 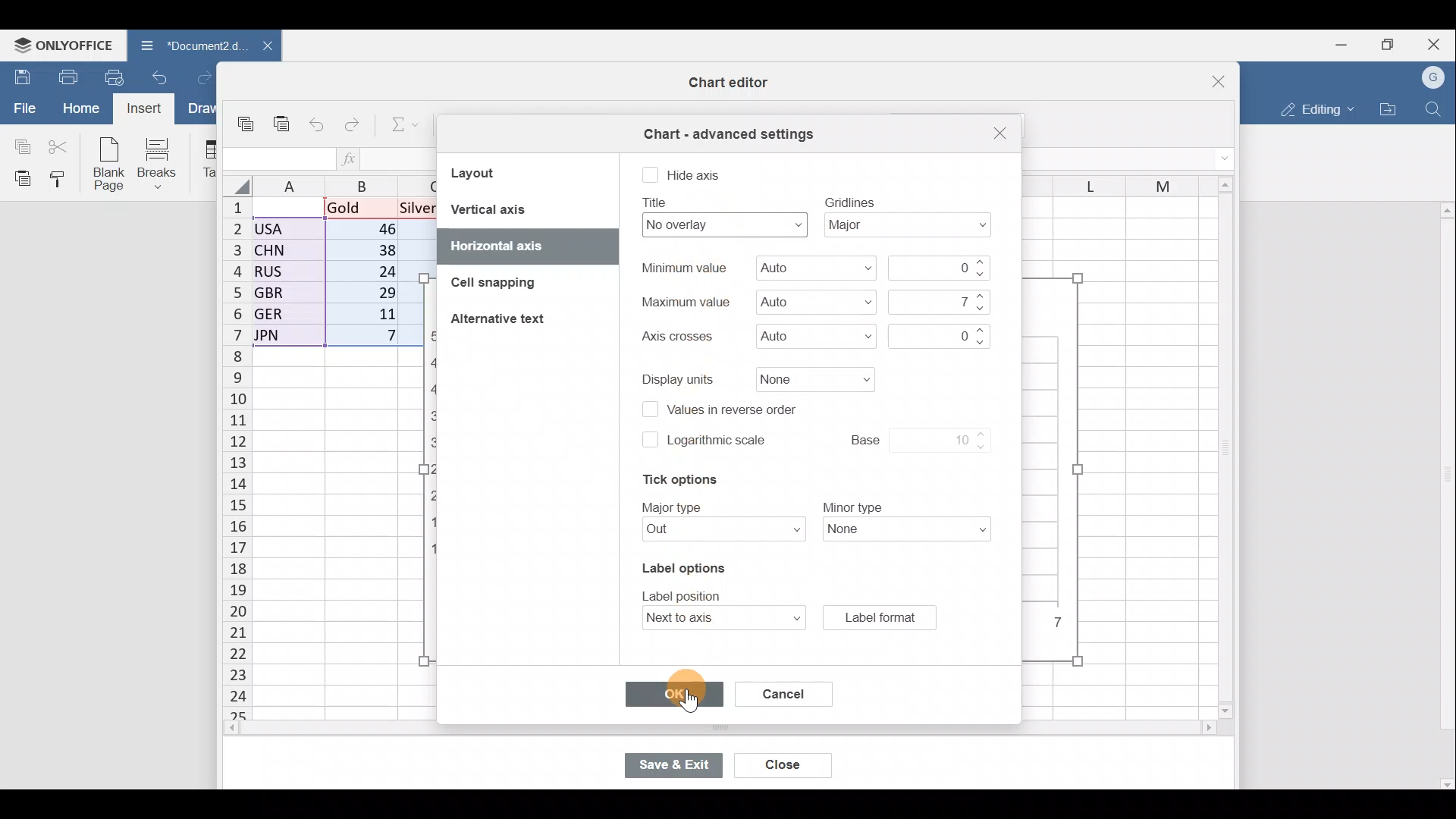 What do you see at coordinates (188, 45) in the screenshot?
I see `Document2.d` at bounding box center [188, 45].